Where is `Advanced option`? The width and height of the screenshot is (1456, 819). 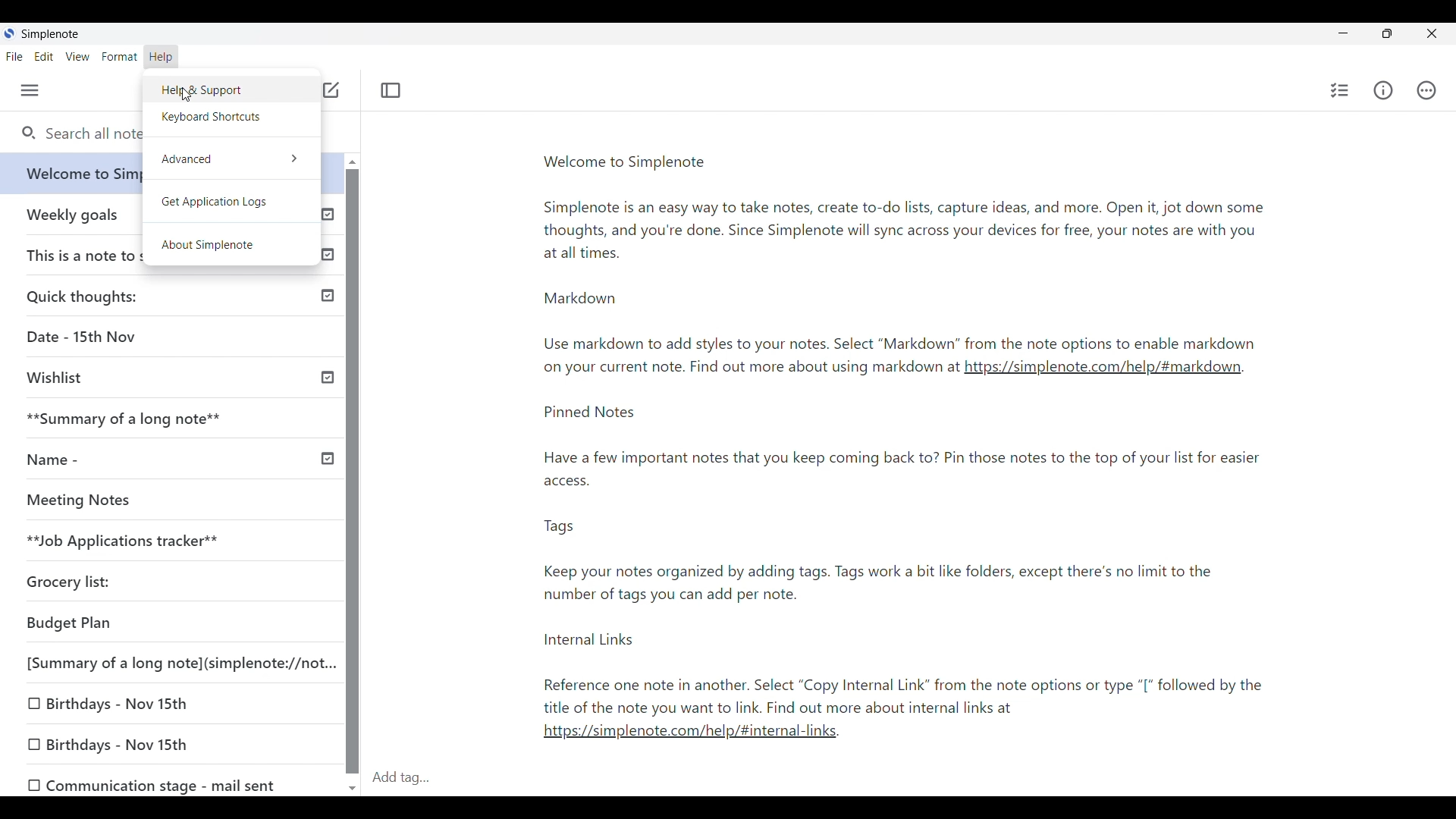
Advanced option is located at coordinates (231, 158).